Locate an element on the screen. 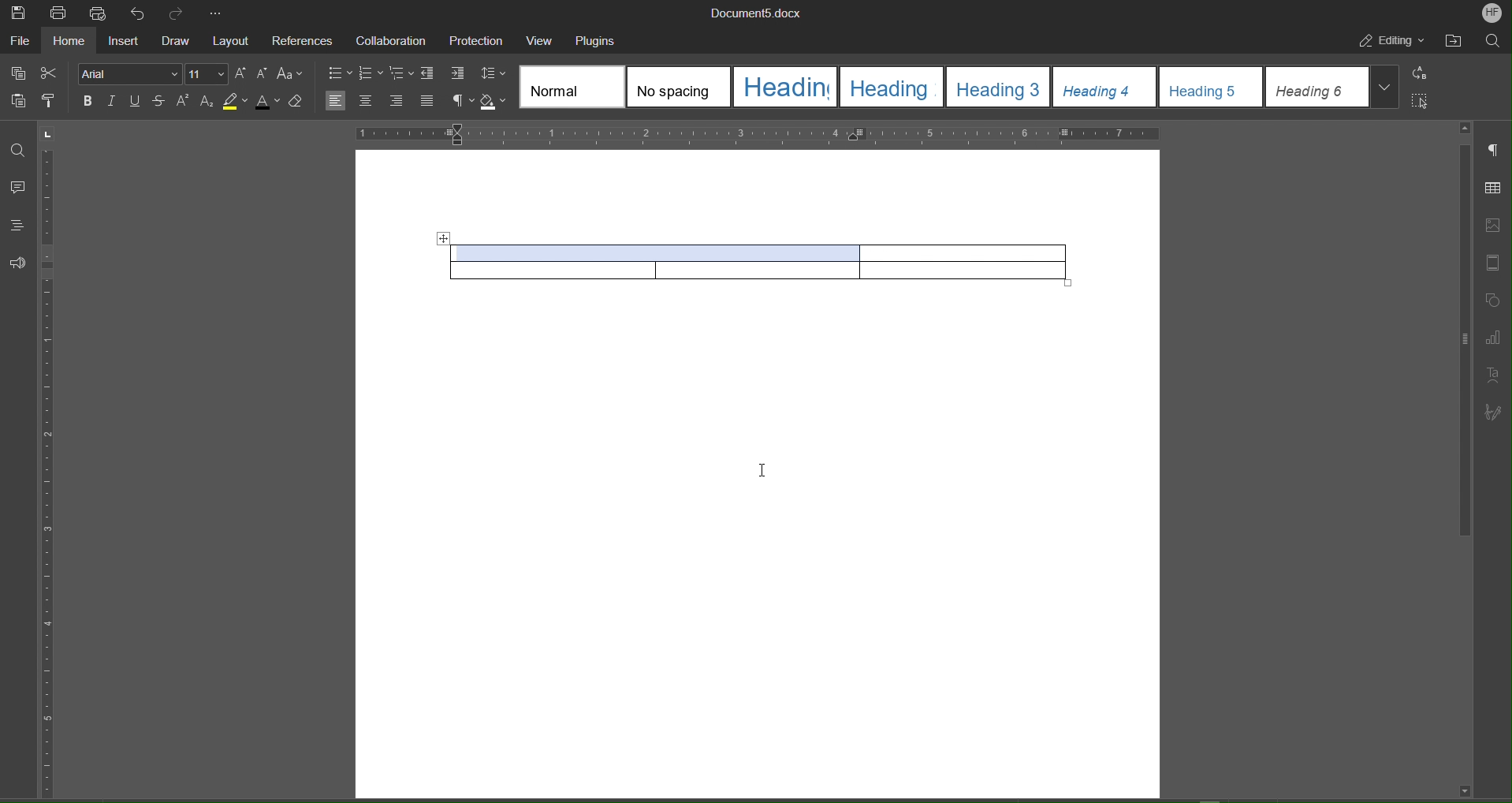  scroll bar is located at coordinates (1462, 342).